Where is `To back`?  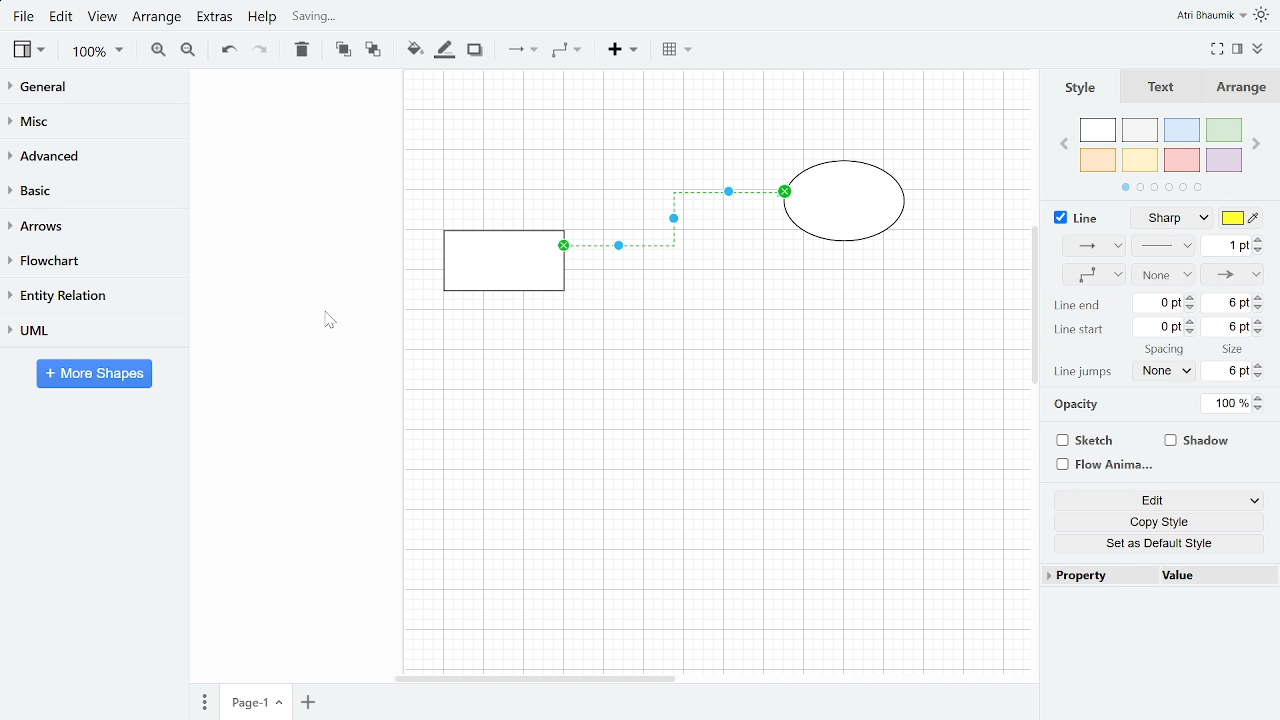
To back is located at coordinates (373, 50).